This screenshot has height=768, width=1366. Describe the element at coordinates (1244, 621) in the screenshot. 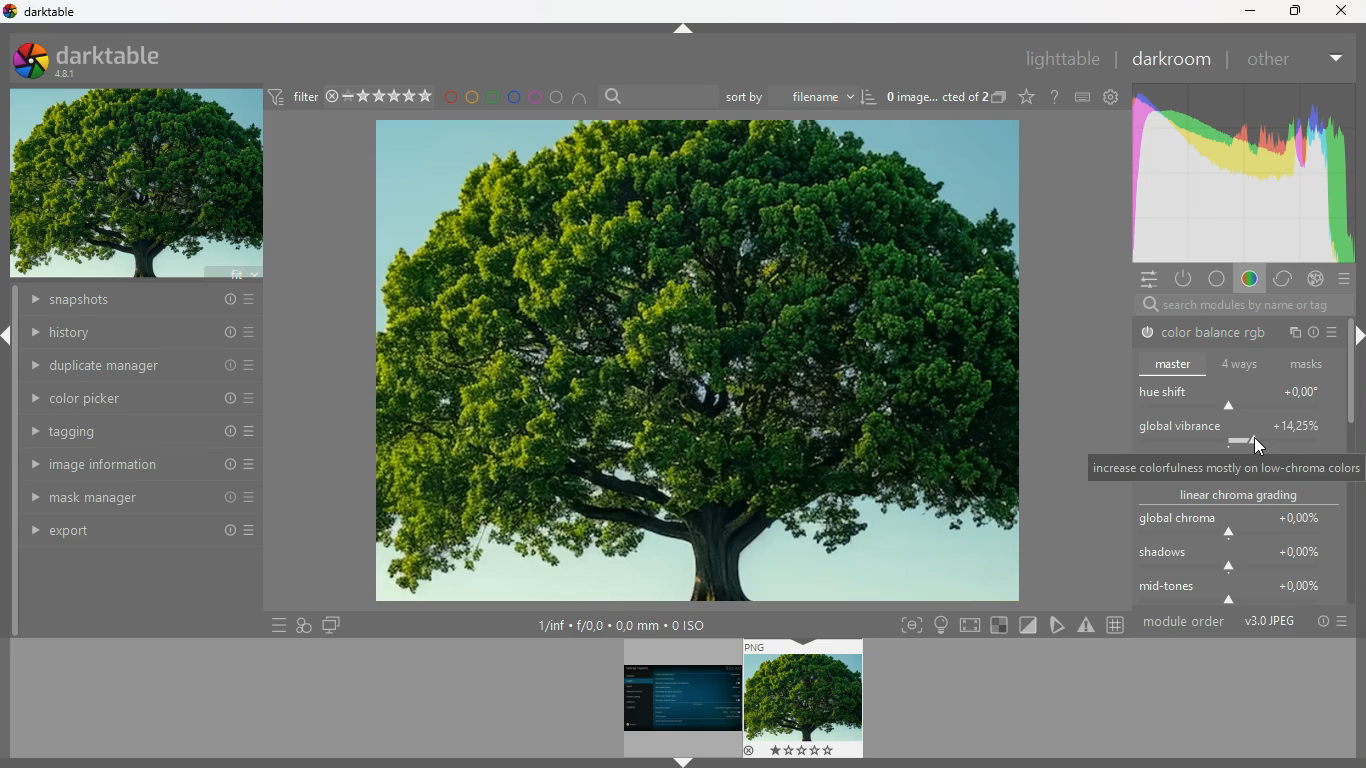

I see `module order` at that location.